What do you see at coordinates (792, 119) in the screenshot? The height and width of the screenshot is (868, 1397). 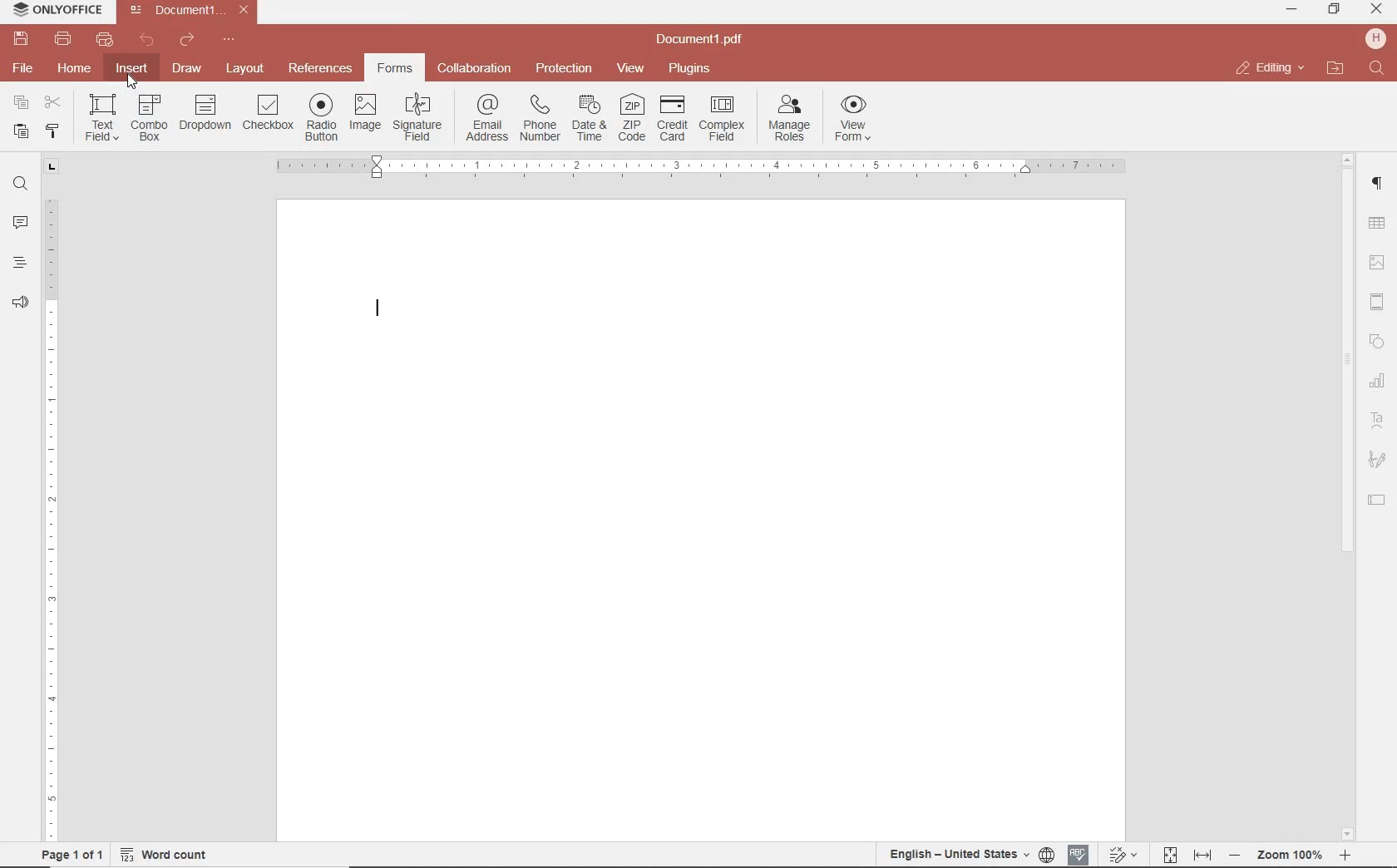 I see `manage roles` at bounding box center [792, 119].